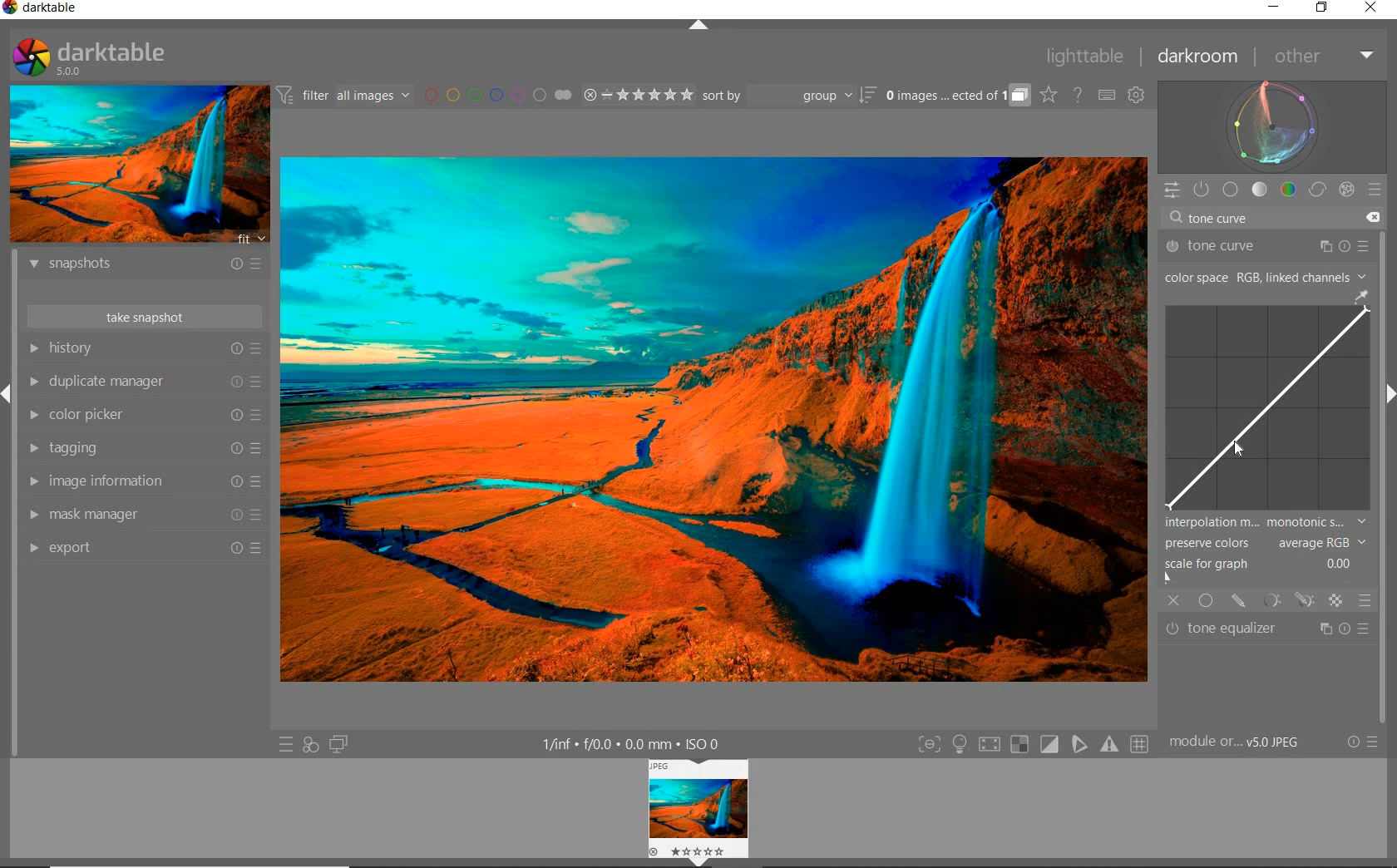  Describe the element at coordinates (309, 746) in the screenshot. I see `QUICK ACCESS FOR APPLYING ANY OF YOUR STYLES` at that location.